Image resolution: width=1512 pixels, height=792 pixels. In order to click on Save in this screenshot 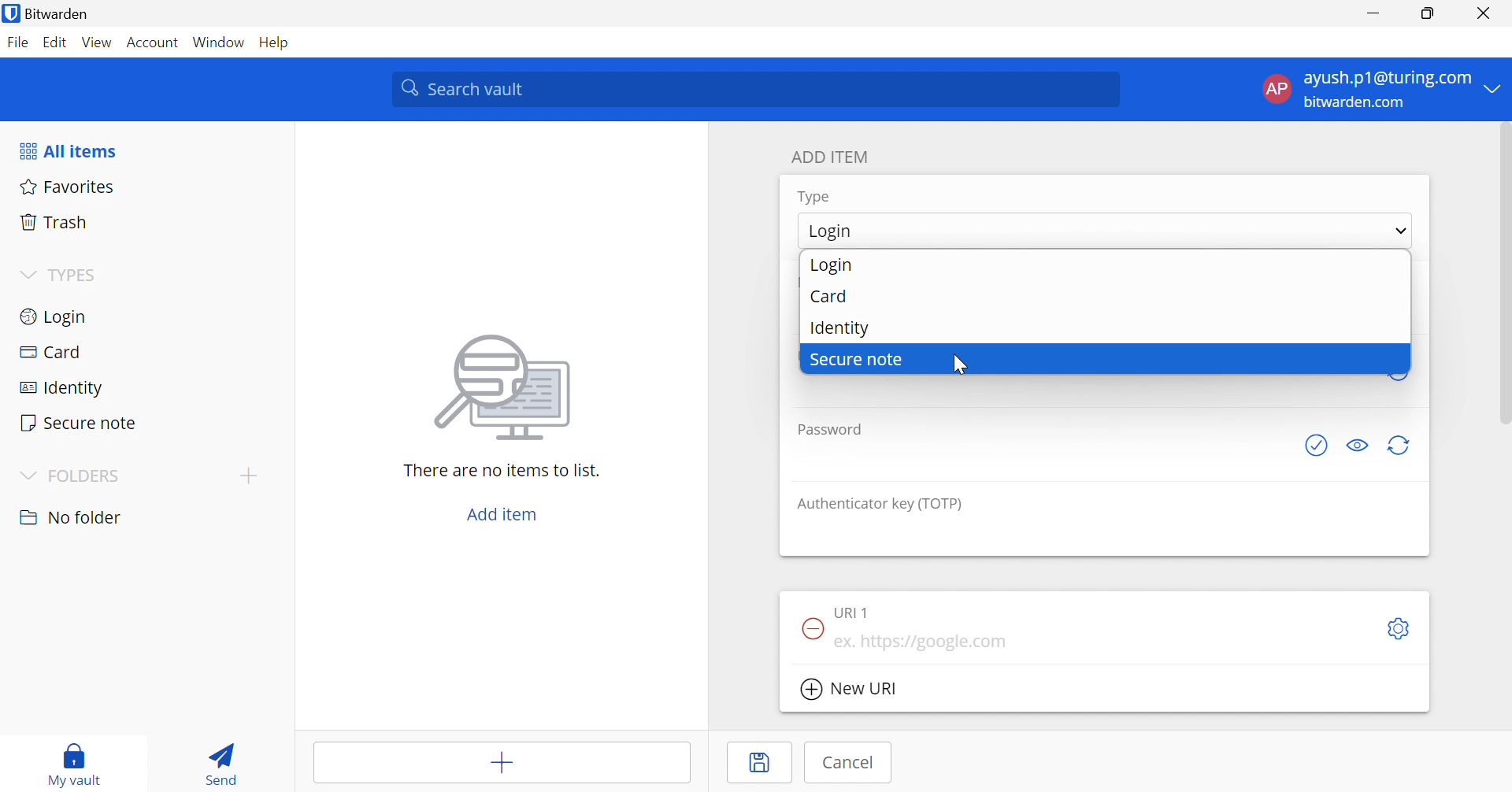, I will do `click(758, 763)`.